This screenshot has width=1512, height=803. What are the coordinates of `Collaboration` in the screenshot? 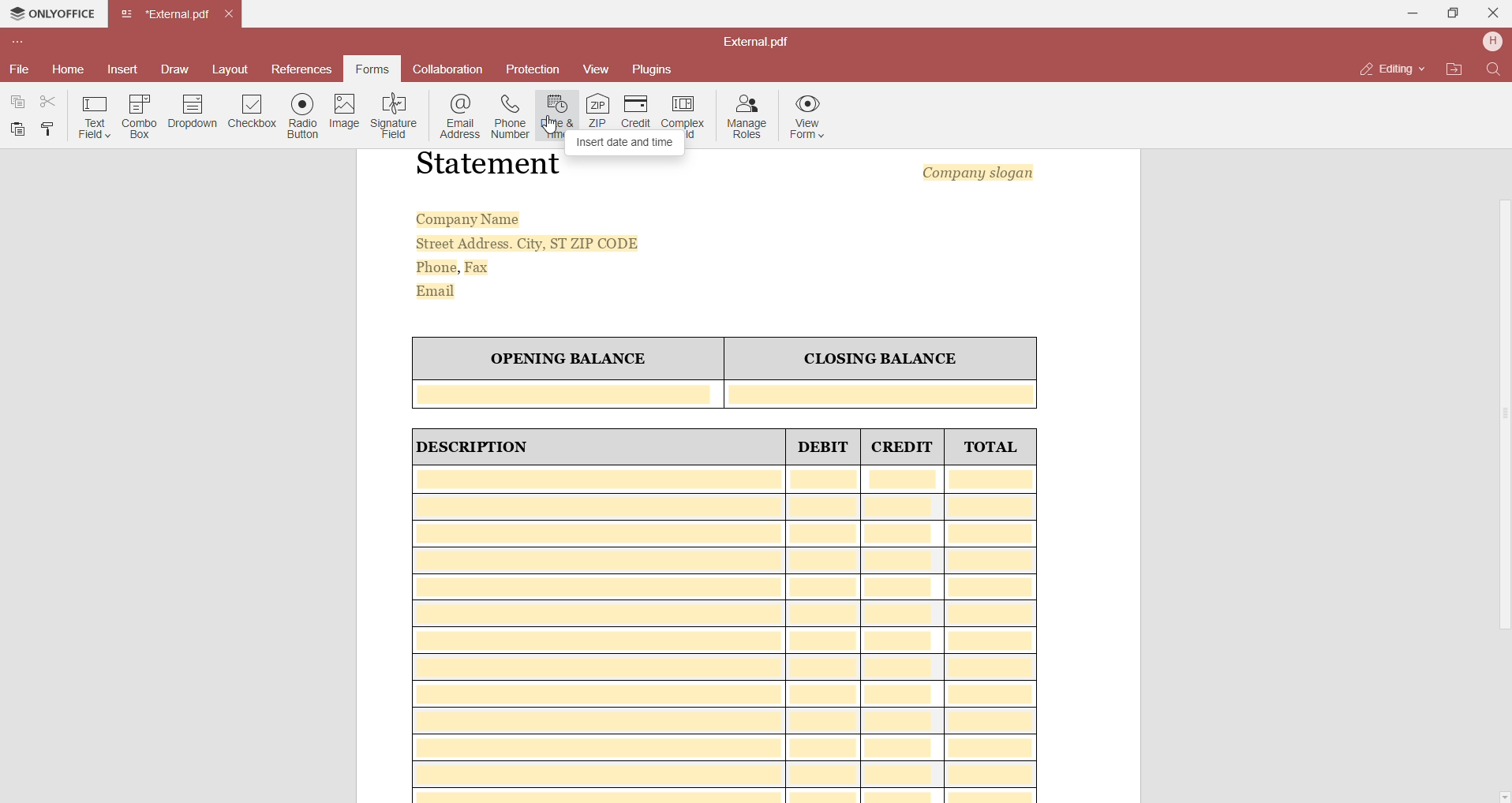 It's located at (452, 69).